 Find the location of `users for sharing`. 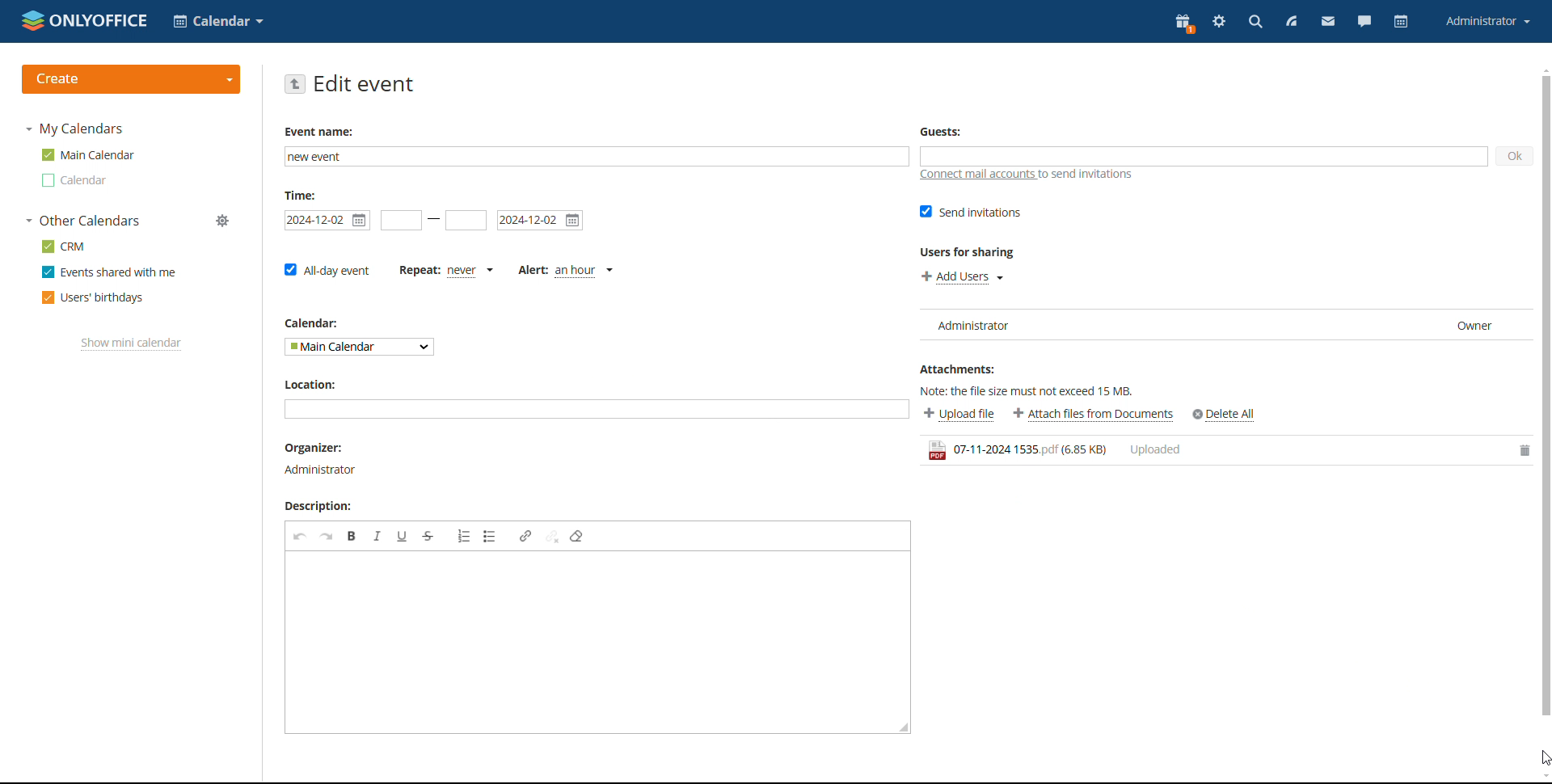

users for sharing is located at coordinates (969, 253).